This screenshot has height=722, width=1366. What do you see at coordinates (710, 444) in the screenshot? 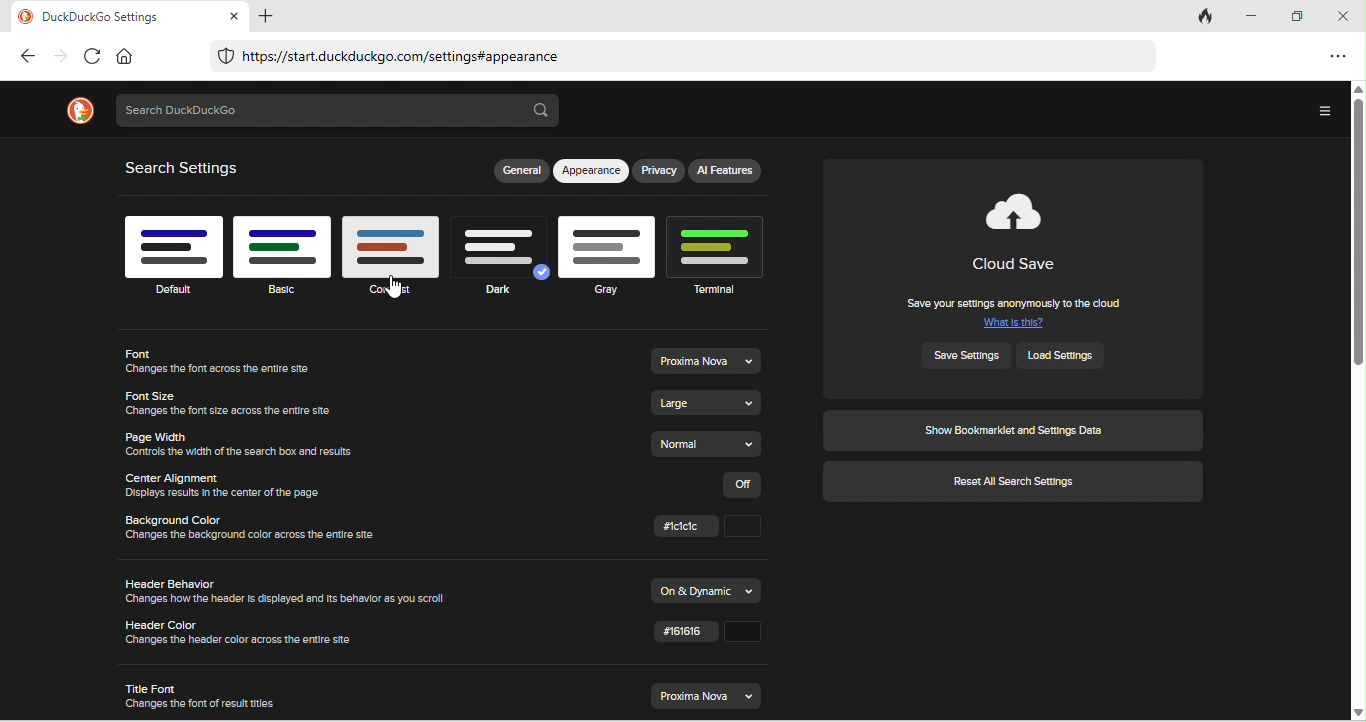
I see `normal` at bounding box center [710, 444].